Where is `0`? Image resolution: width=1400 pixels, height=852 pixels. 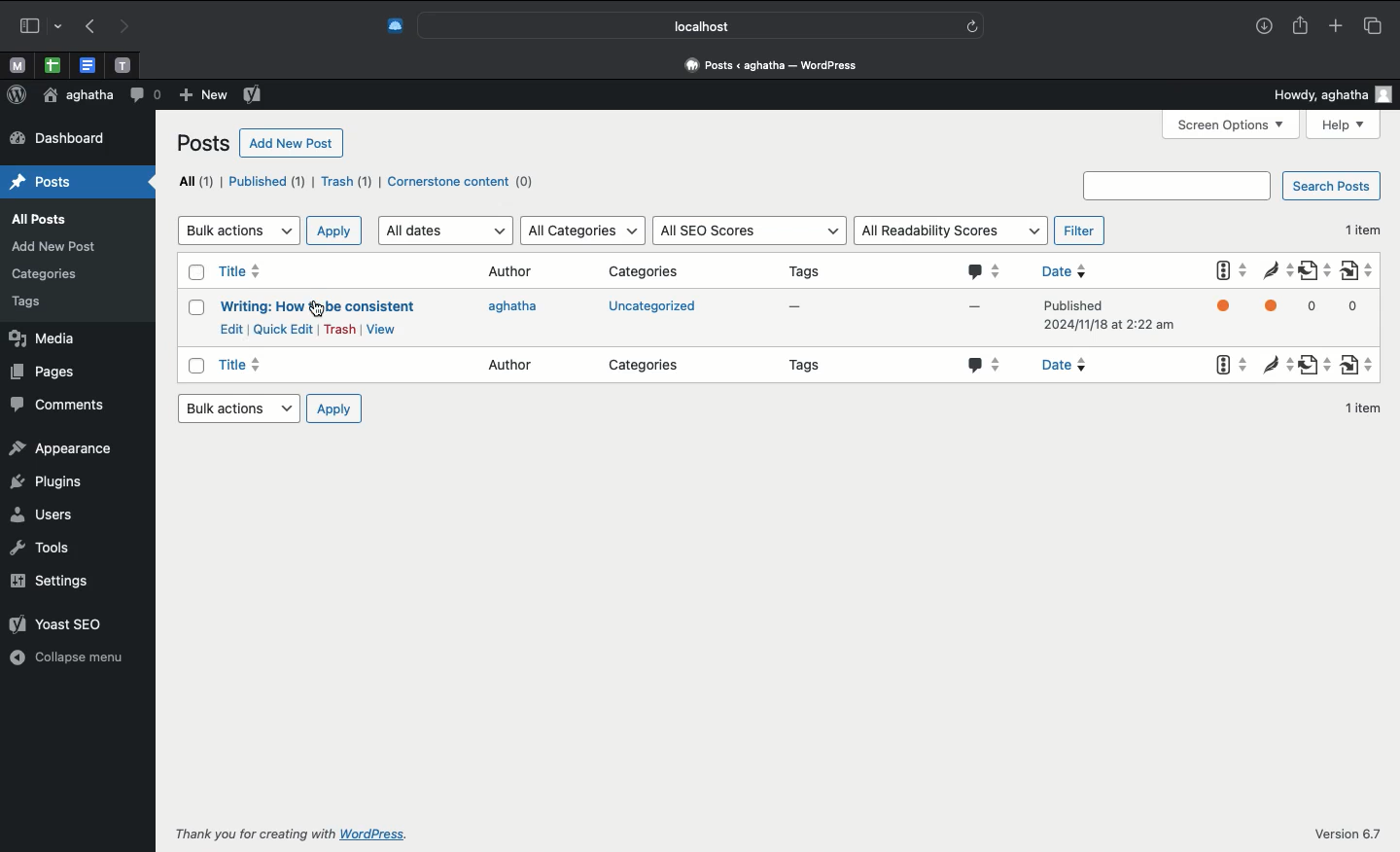
0 is located at coordinates (1359, 312).